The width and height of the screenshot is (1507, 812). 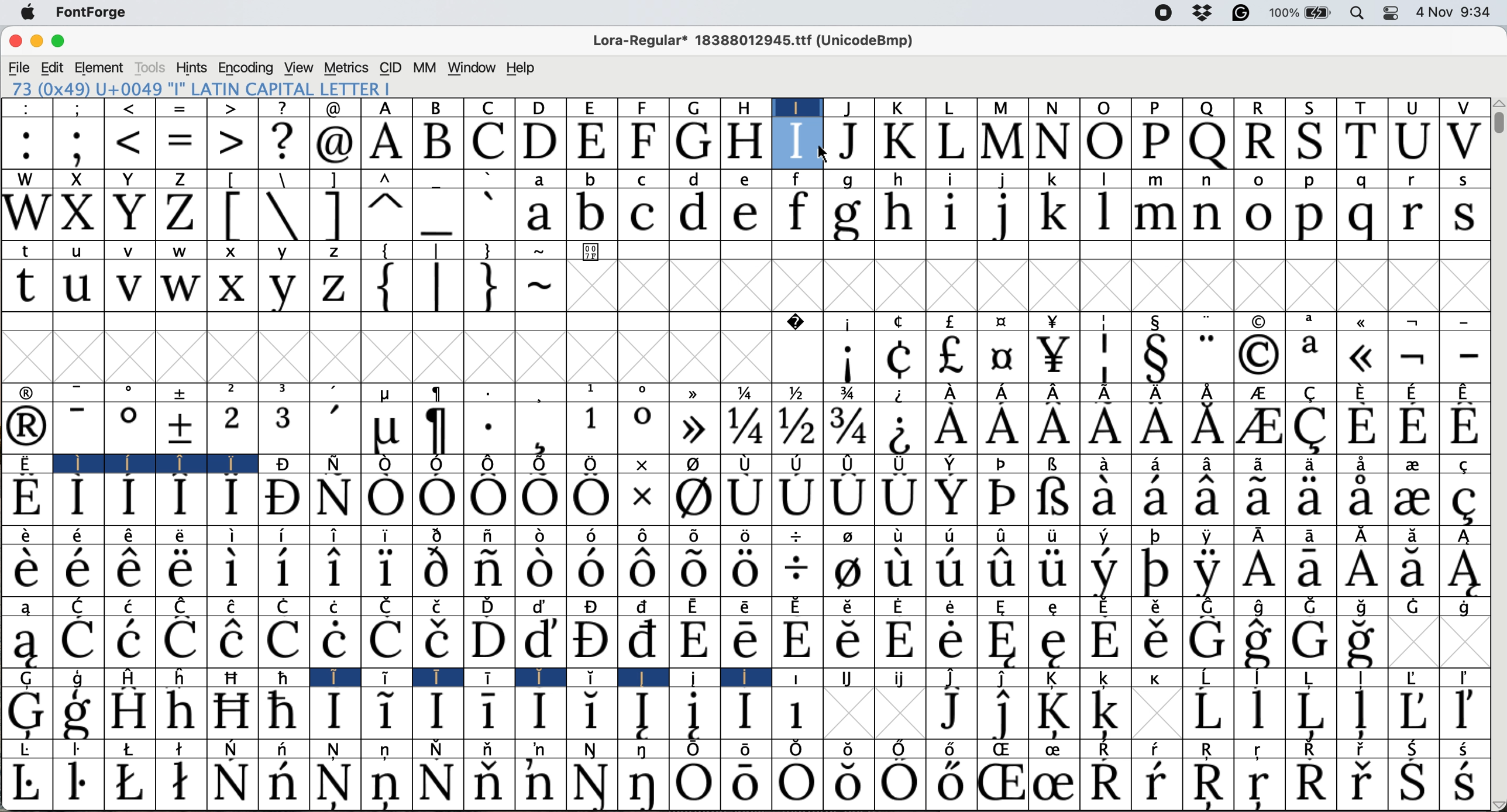 What do you see at coordinates (1312, 142) in the screenshot?
I see `S` at bounding box center [1312, 142].